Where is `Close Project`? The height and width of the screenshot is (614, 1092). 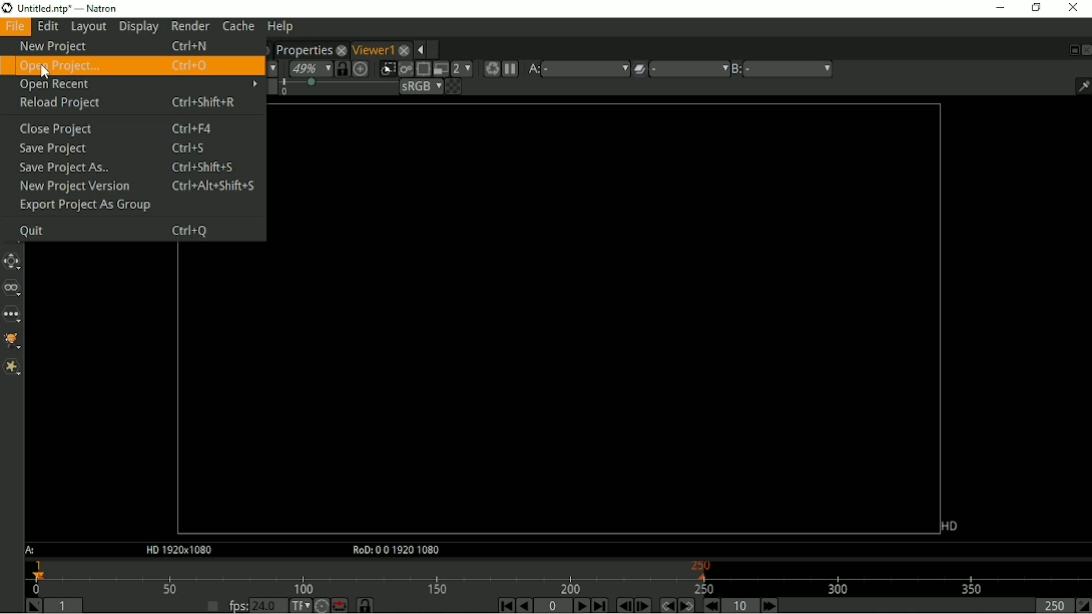 Close Project is located at coordinates (113, 129).